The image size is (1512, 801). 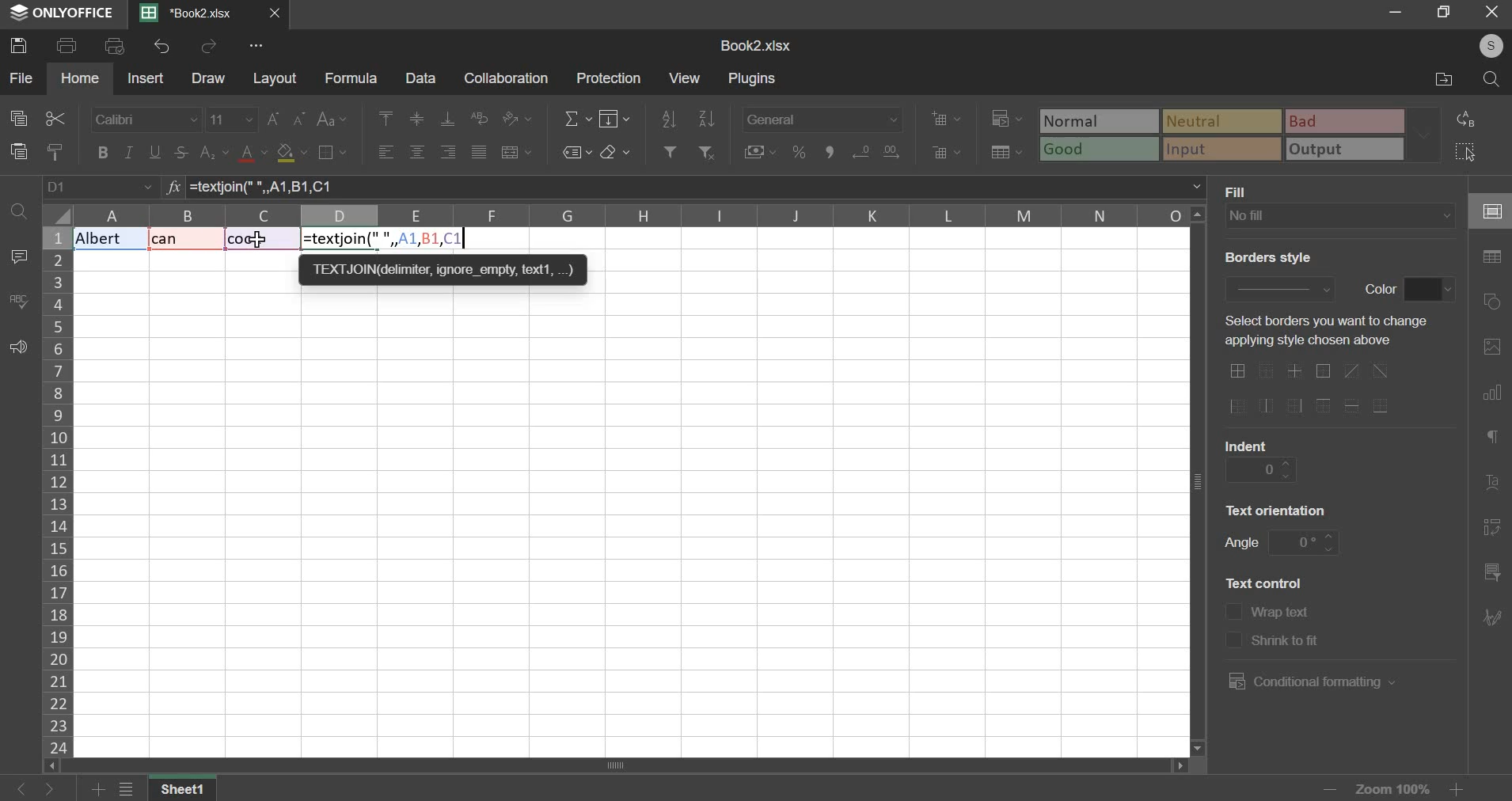 I want to click on text, so click(x=1241, y=545).